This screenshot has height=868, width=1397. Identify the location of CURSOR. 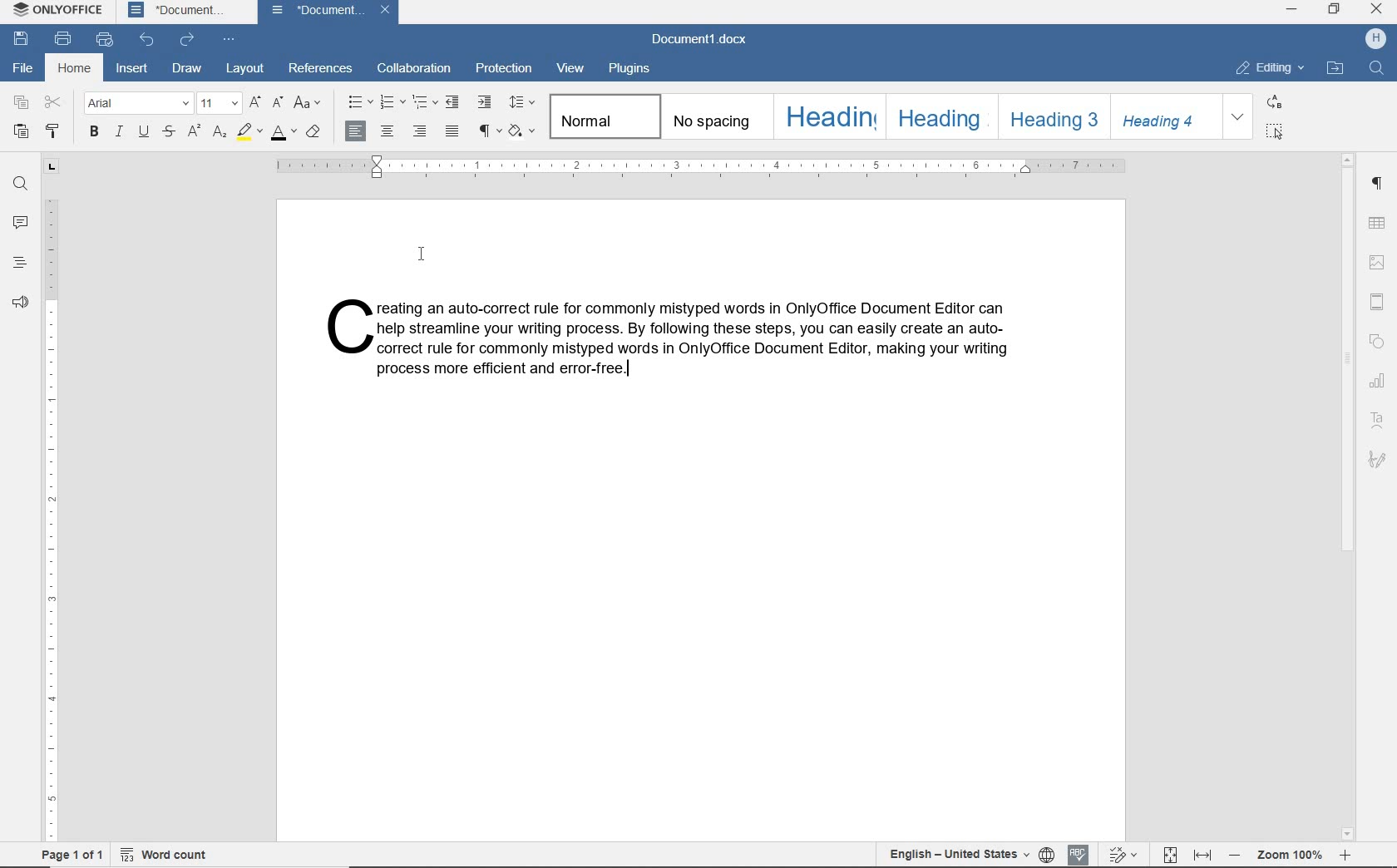
(422, 254).